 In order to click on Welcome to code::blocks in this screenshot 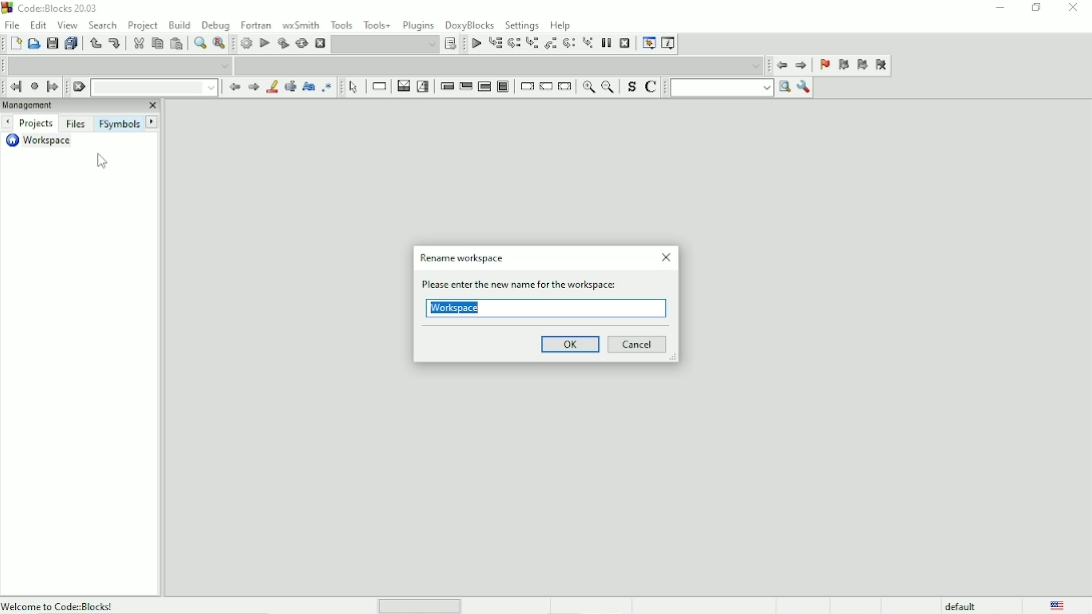, I will do `click(61, 604)`.